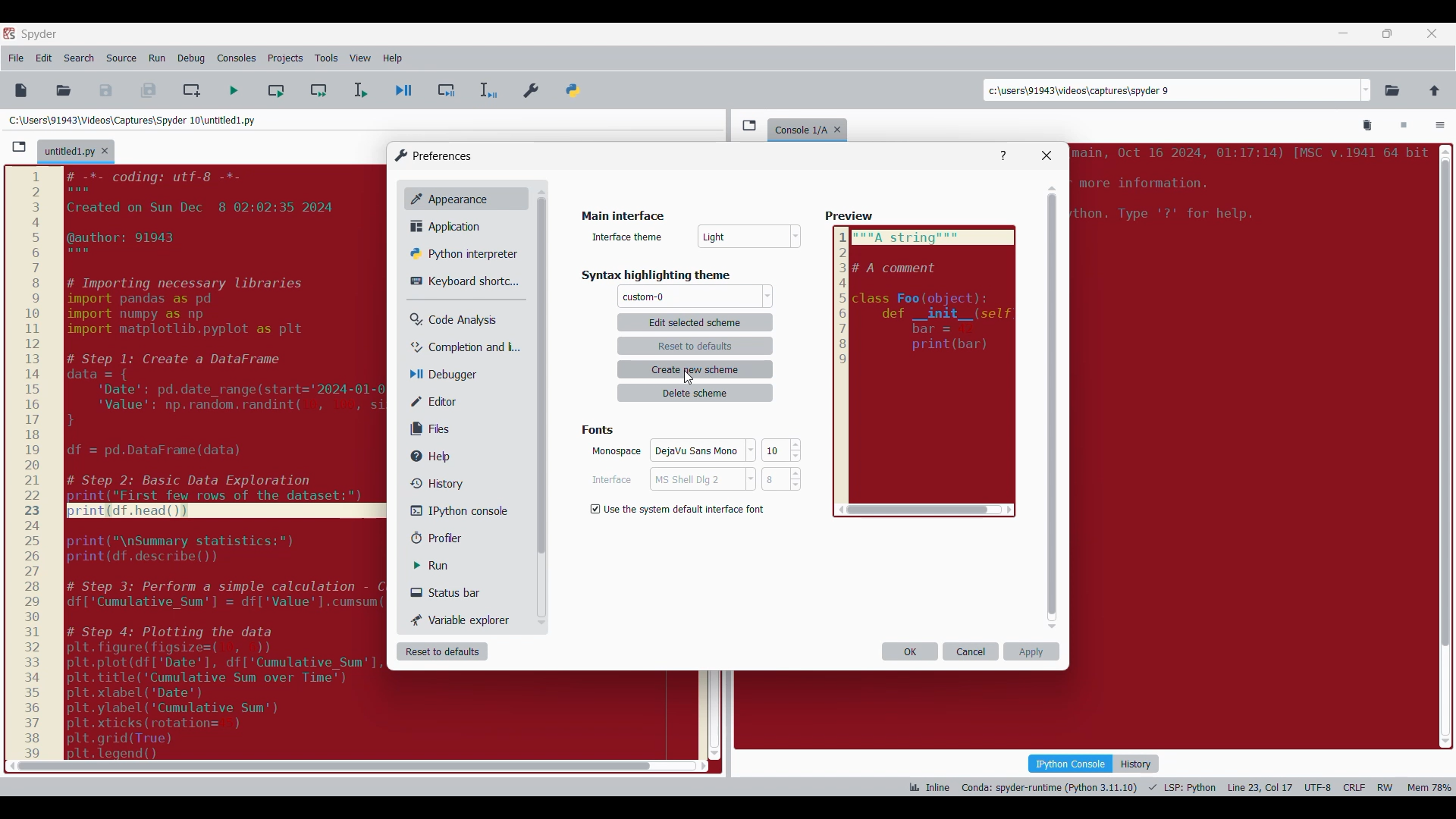 The image size is (1456, 819). Describe the element at coordinates (465, 566) in the screenshot. I see `Run` at that location.